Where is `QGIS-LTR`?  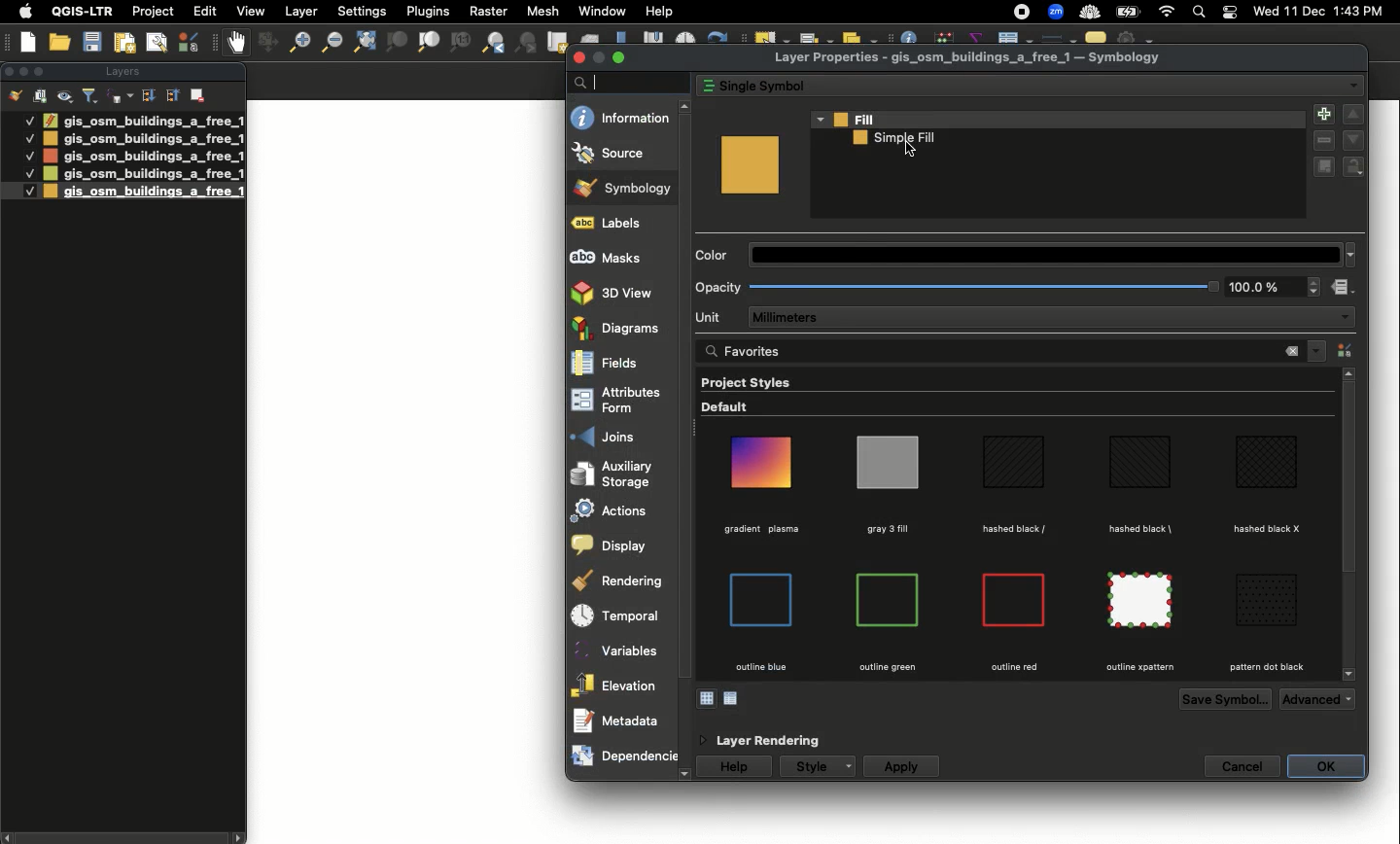 QGIS-LTR is located at coordinates (83, 11).